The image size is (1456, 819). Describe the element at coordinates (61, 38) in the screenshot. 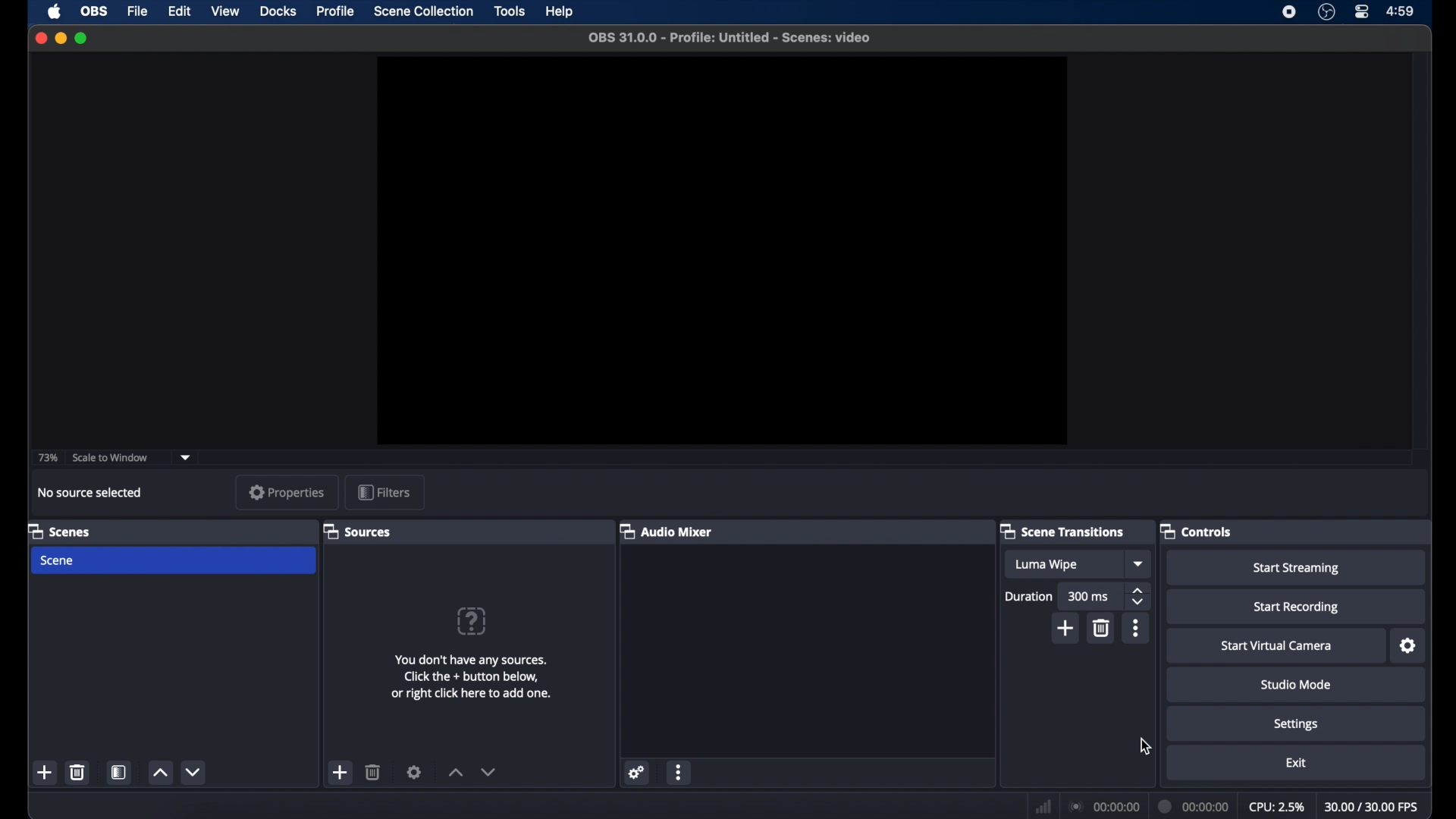

I see `minimize` at that location.